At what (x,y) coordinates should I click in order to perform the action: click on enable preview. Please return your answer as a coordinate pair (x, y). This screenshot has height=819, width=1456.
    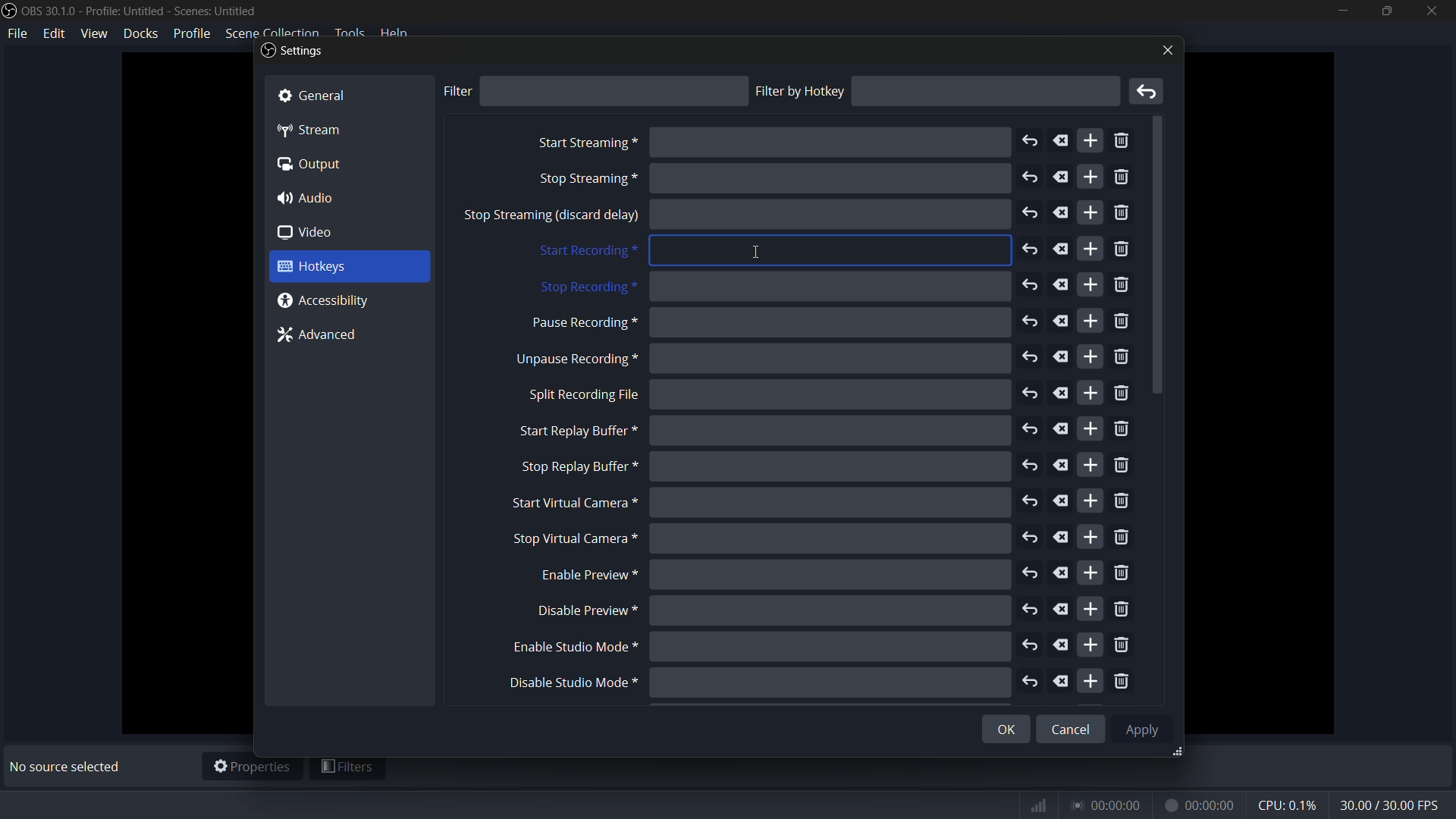
    Looking at the image, I should click on (583, 576).